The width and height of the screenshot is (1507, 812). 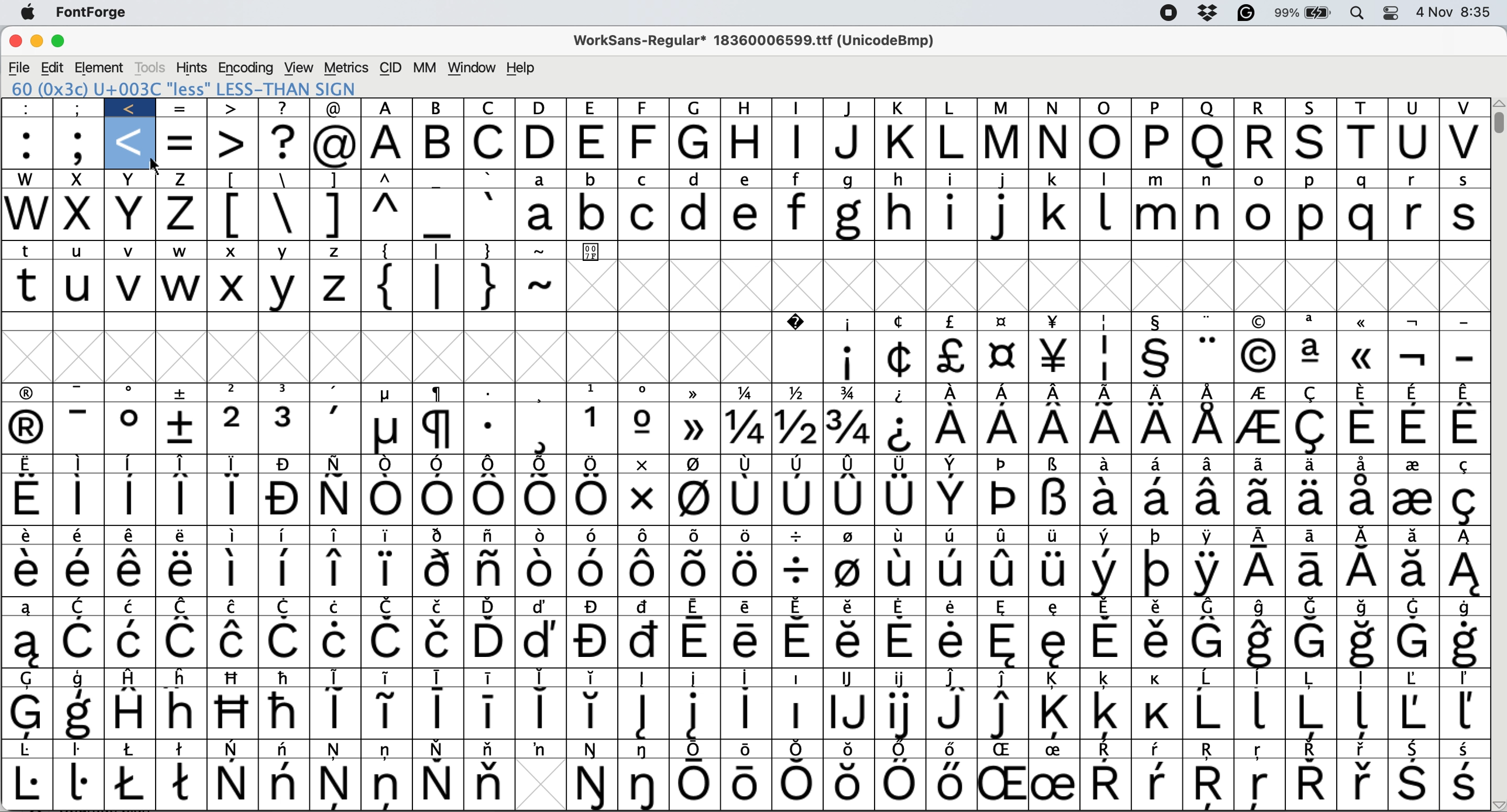 What do you see at coordinates (850, 748) in the screenshot?
I see `Symbol` at bounding box center [850, 748].